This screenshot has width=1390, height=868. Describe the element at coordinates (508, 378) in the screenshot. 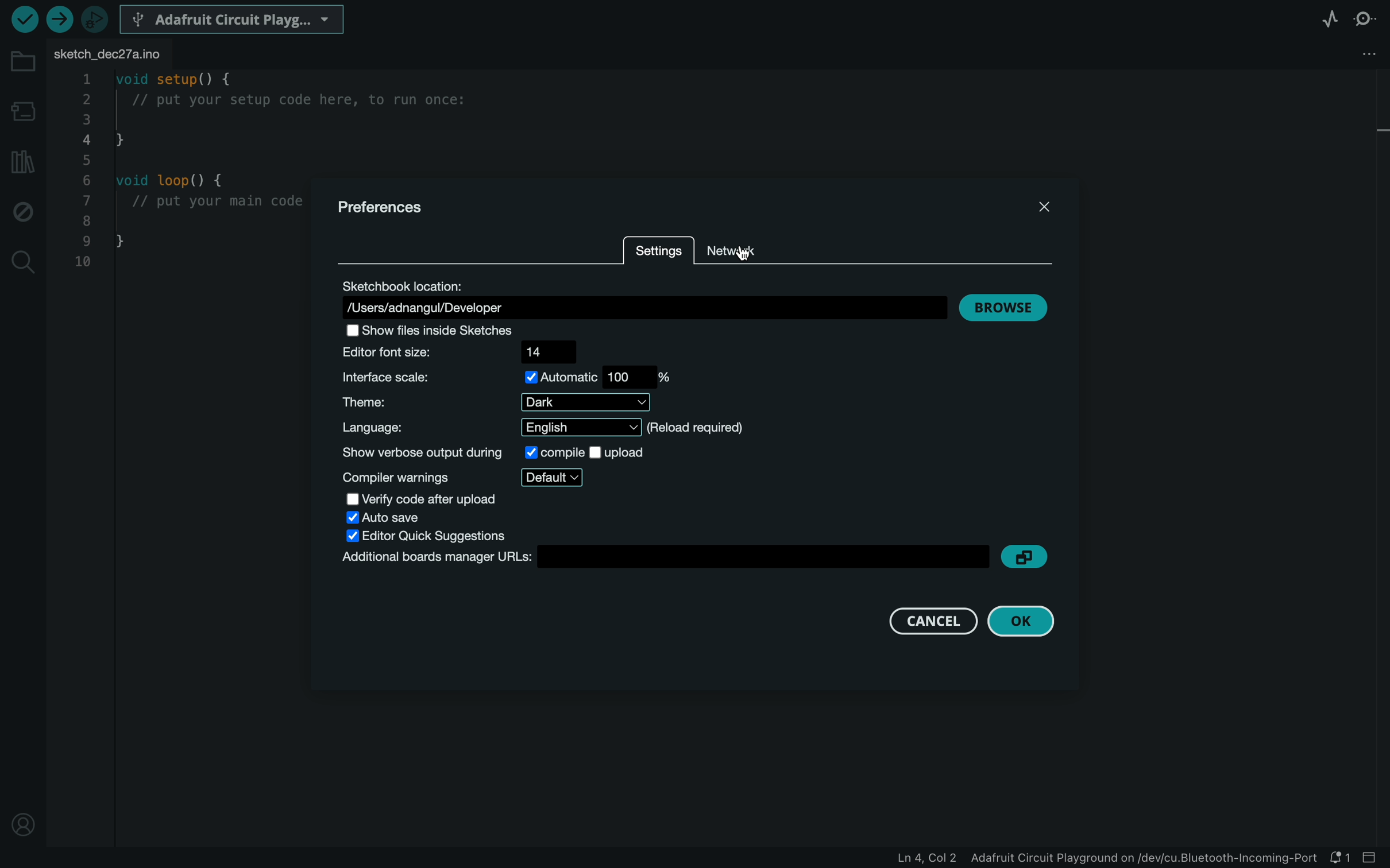

I see `scale` at that location.